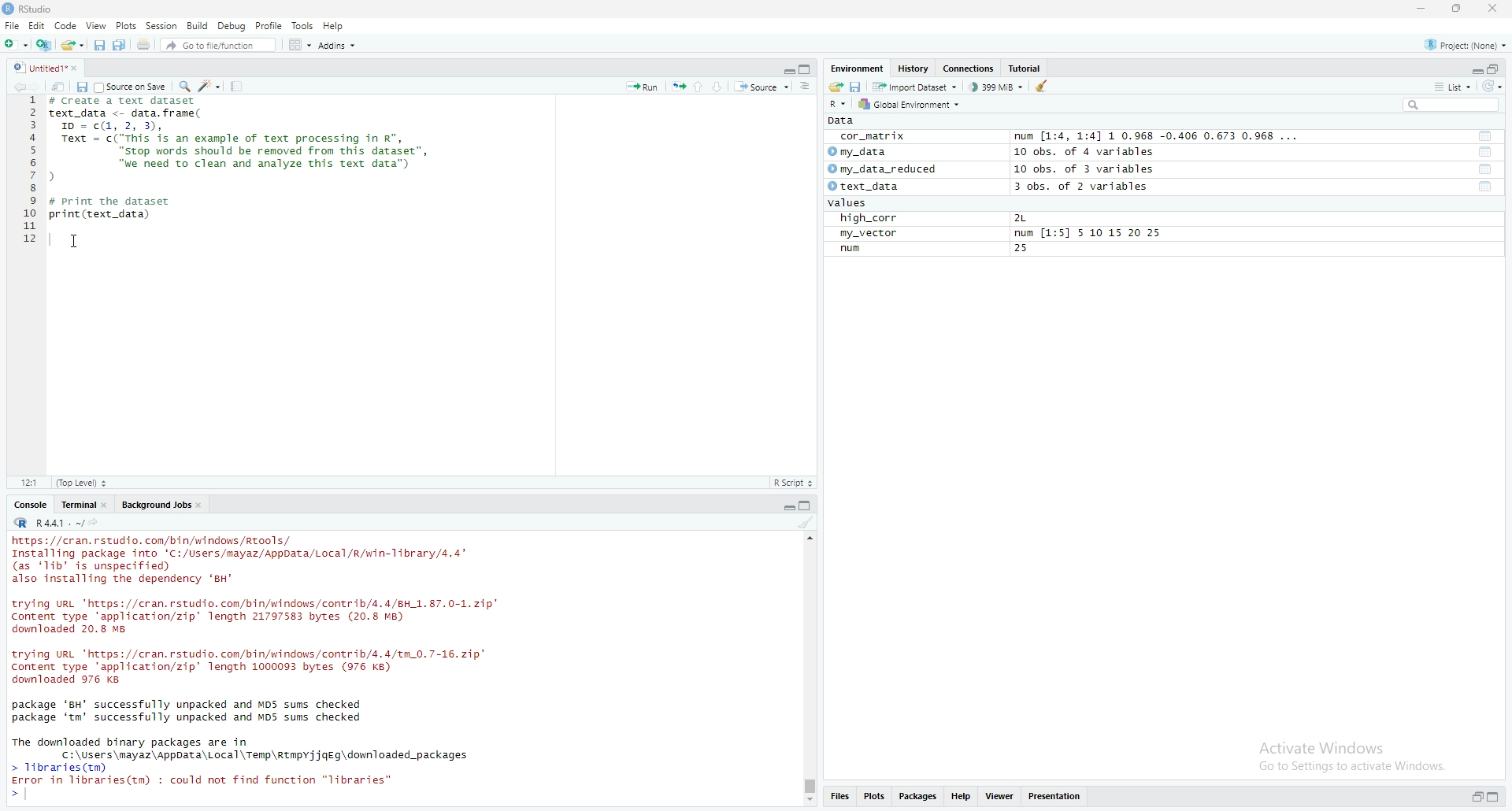 Image resolution: width=1512 pixels, height=811 pixels. I want to click on activate windows go to settings to activate windows, so click(1345, 755).